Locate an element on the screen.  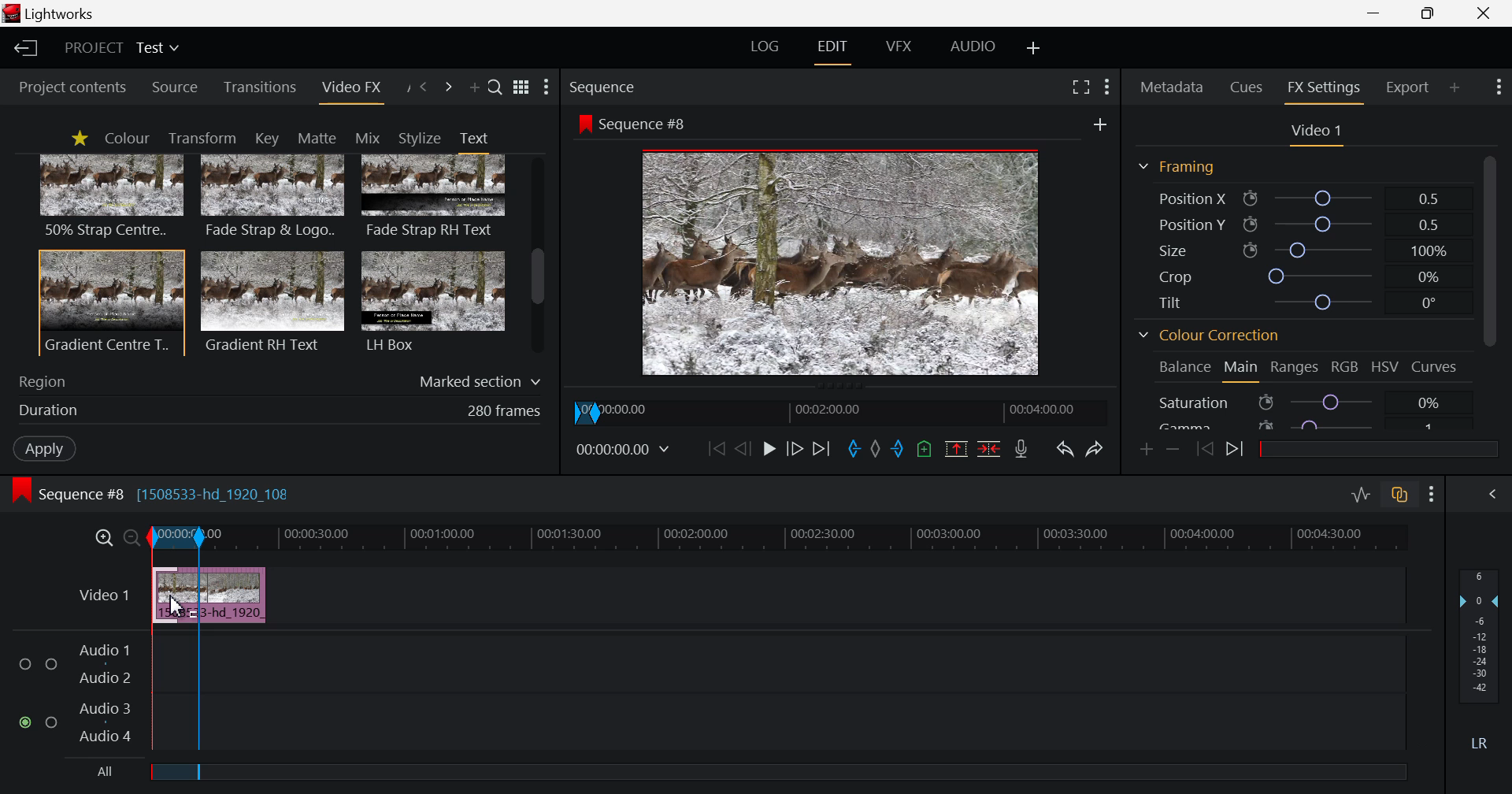
Delete/Cut is located at coordinates (989, 451).